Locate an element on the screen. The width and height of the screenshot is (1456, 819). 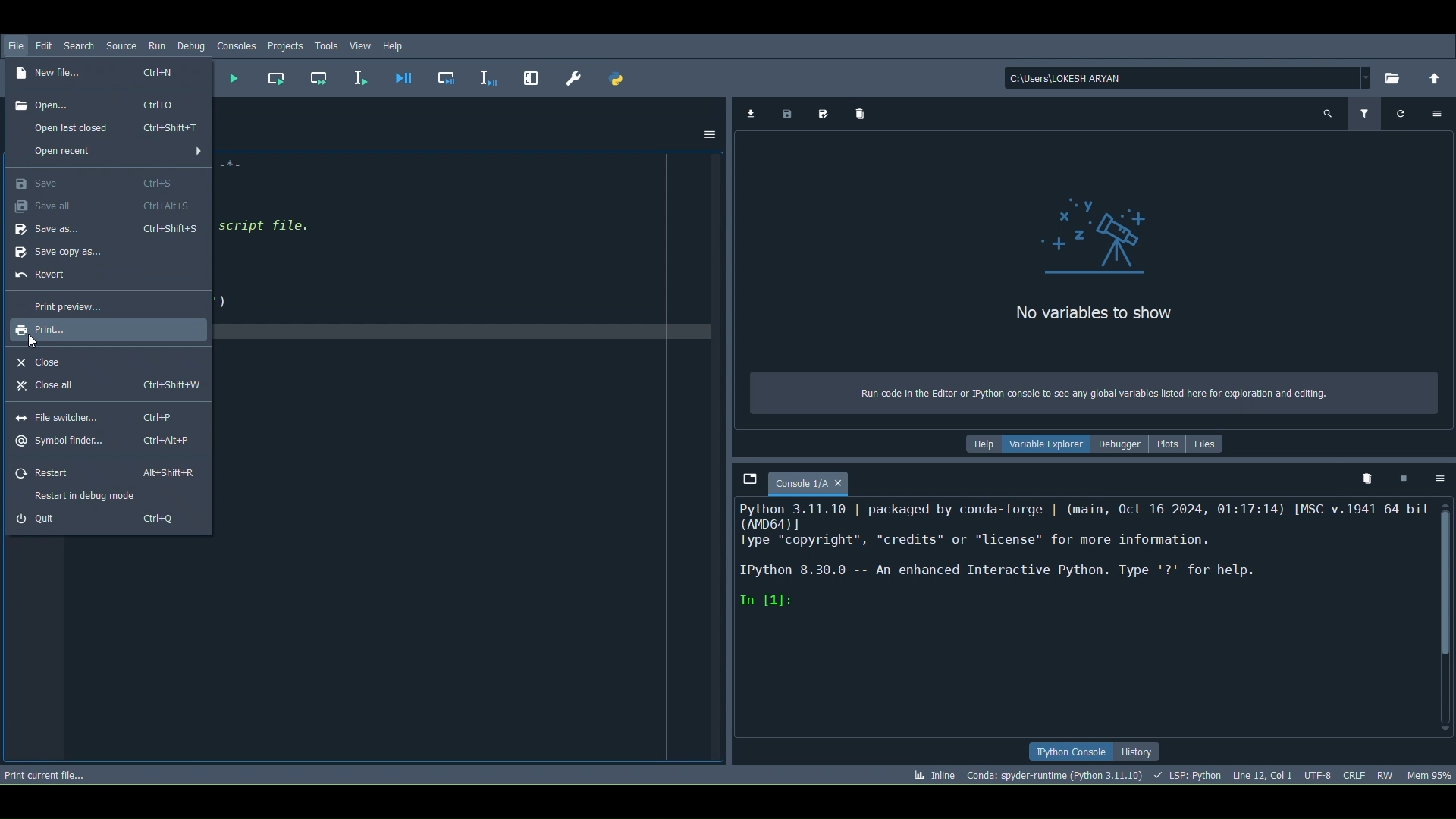
Debug selection or current line is located at coordinates (490, 77).